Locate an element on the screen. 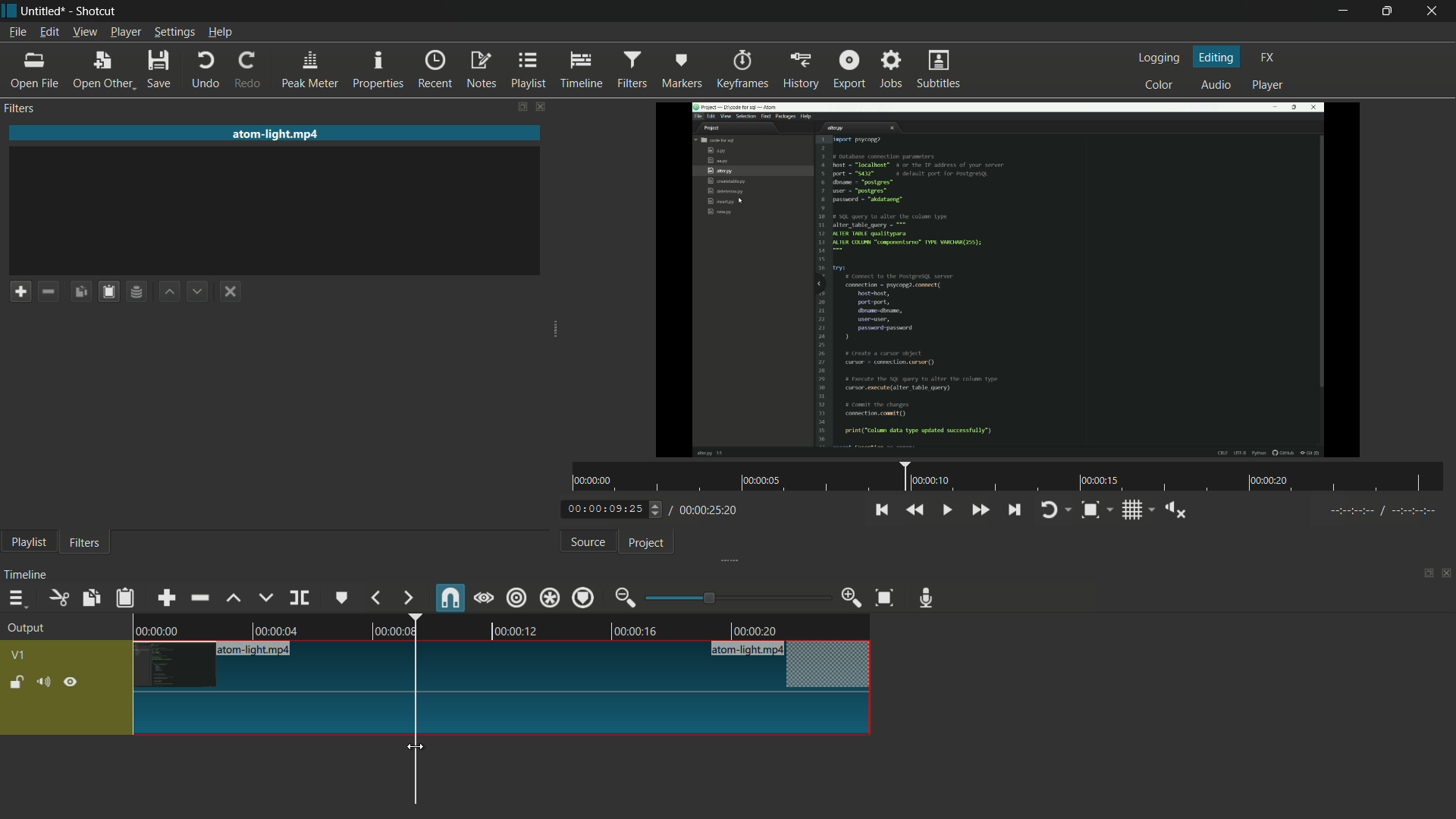 The width and height of the screenshot is (1456, 819). quickly play backward is located at coordinates (916, 510).